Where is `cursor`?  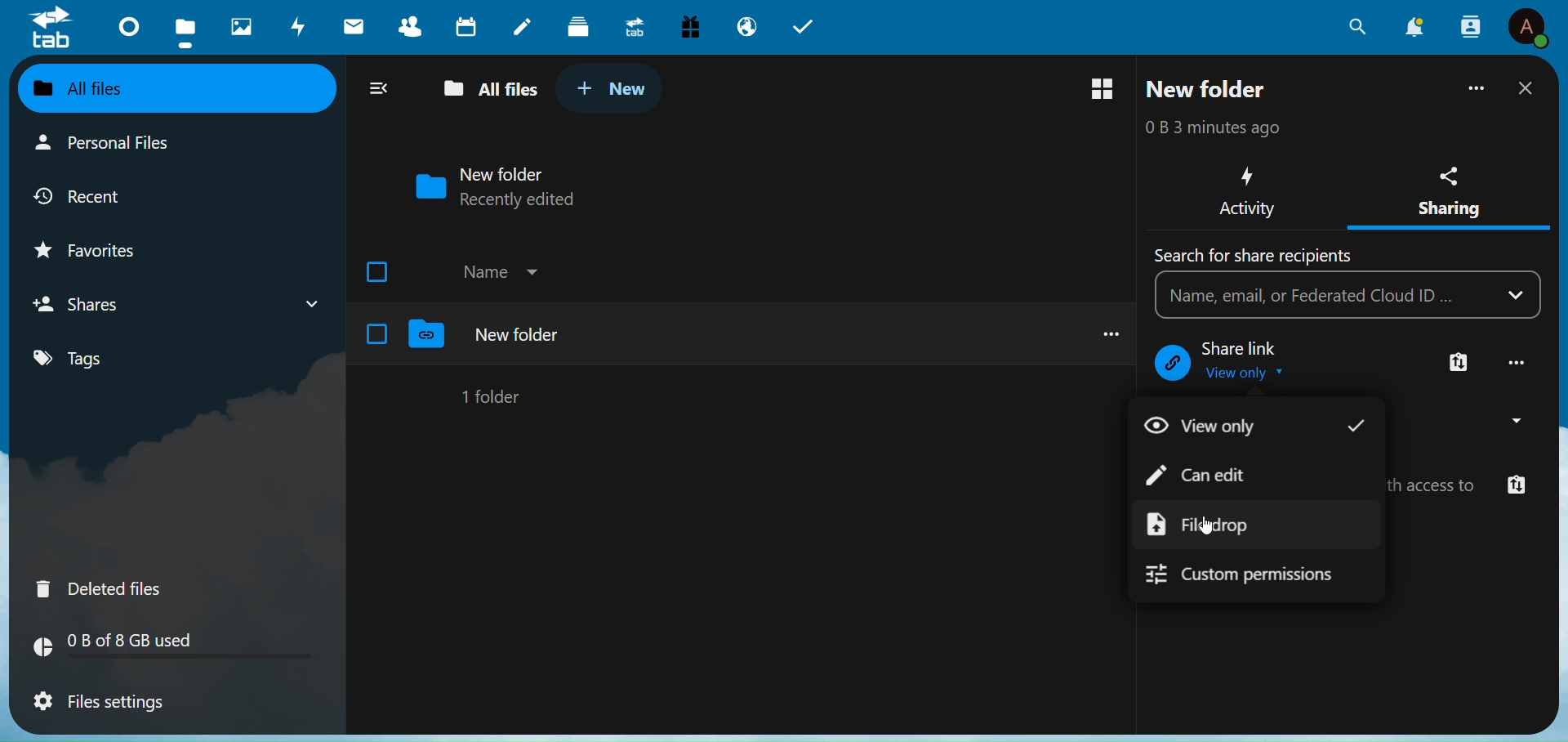
cursor is located at coordinates (1207, 527).